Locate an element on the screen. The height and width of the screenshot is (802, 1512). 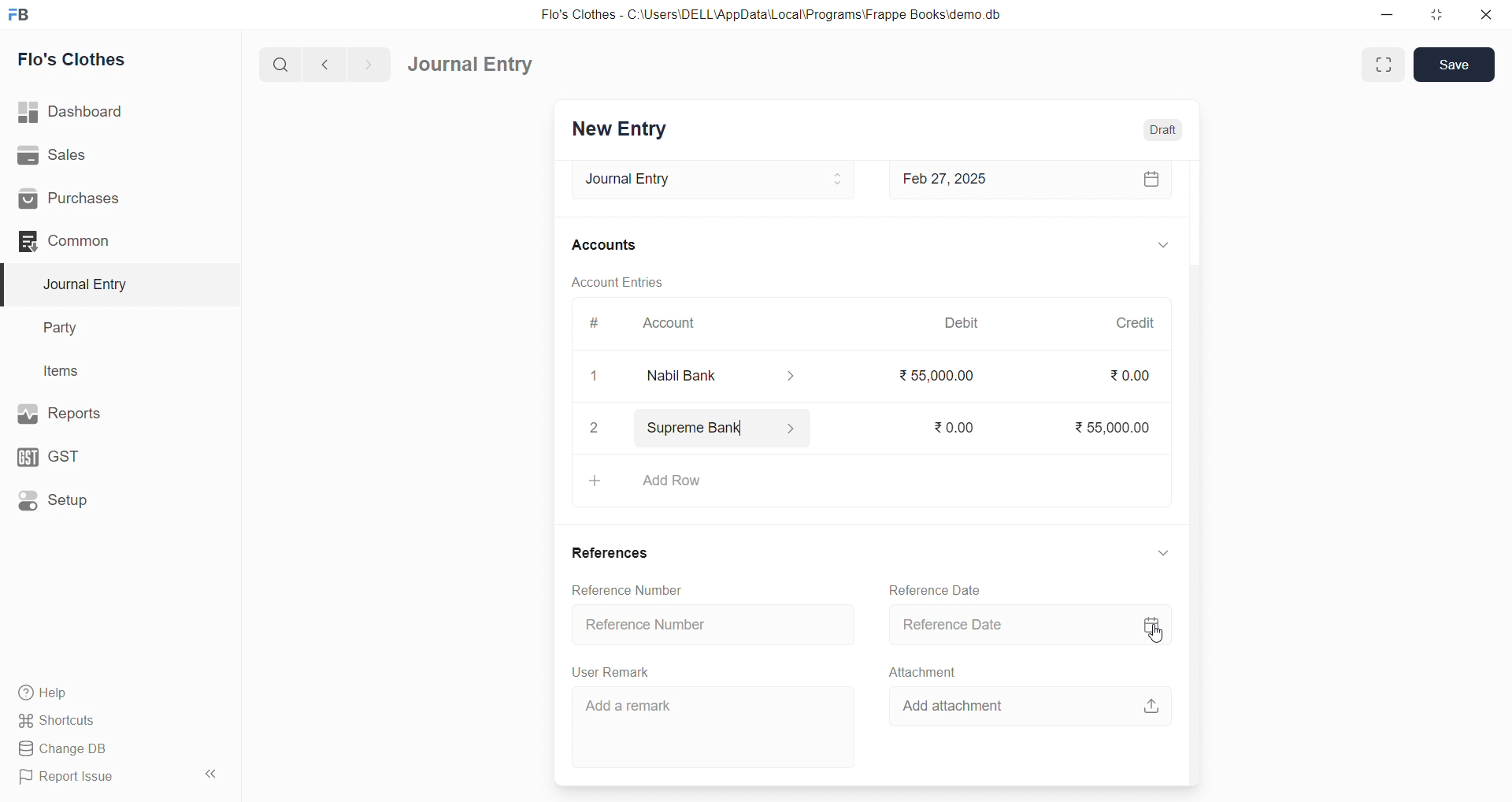
Save is located at coordinates (1455, 65).